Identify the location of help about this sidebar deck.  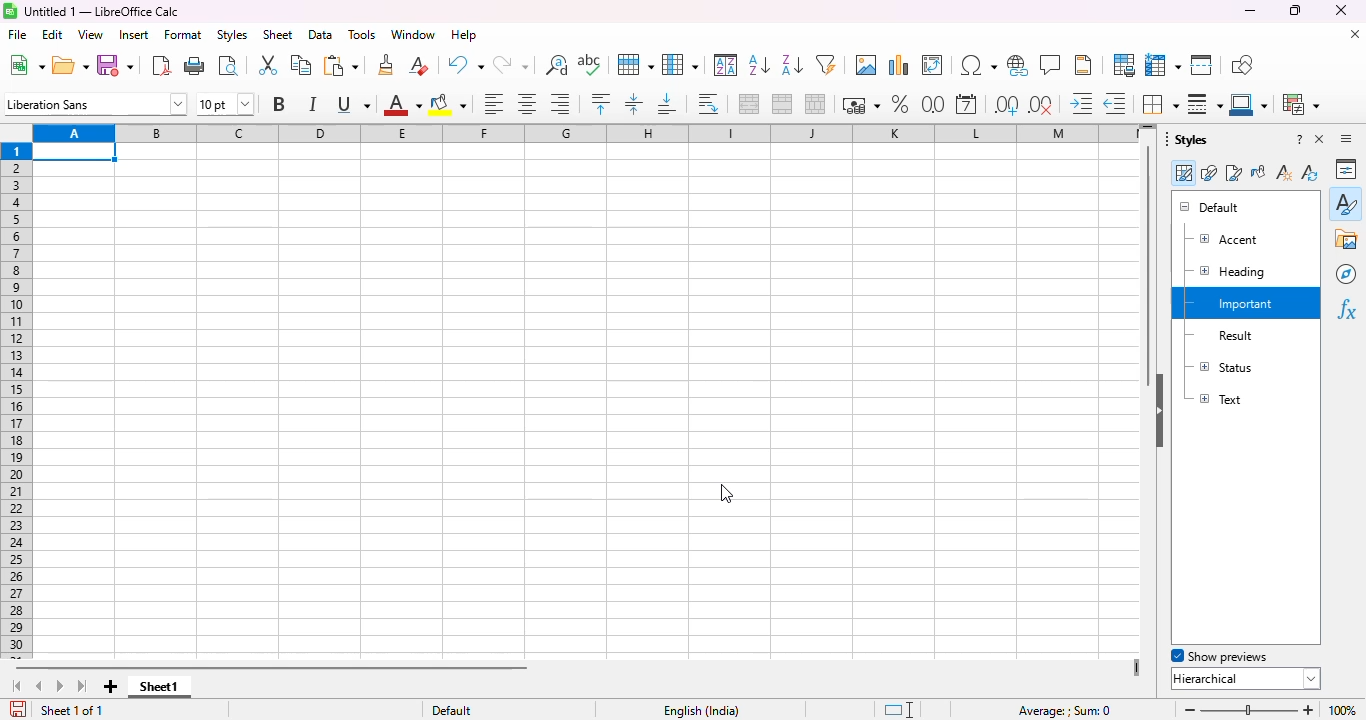
(1299, 138).